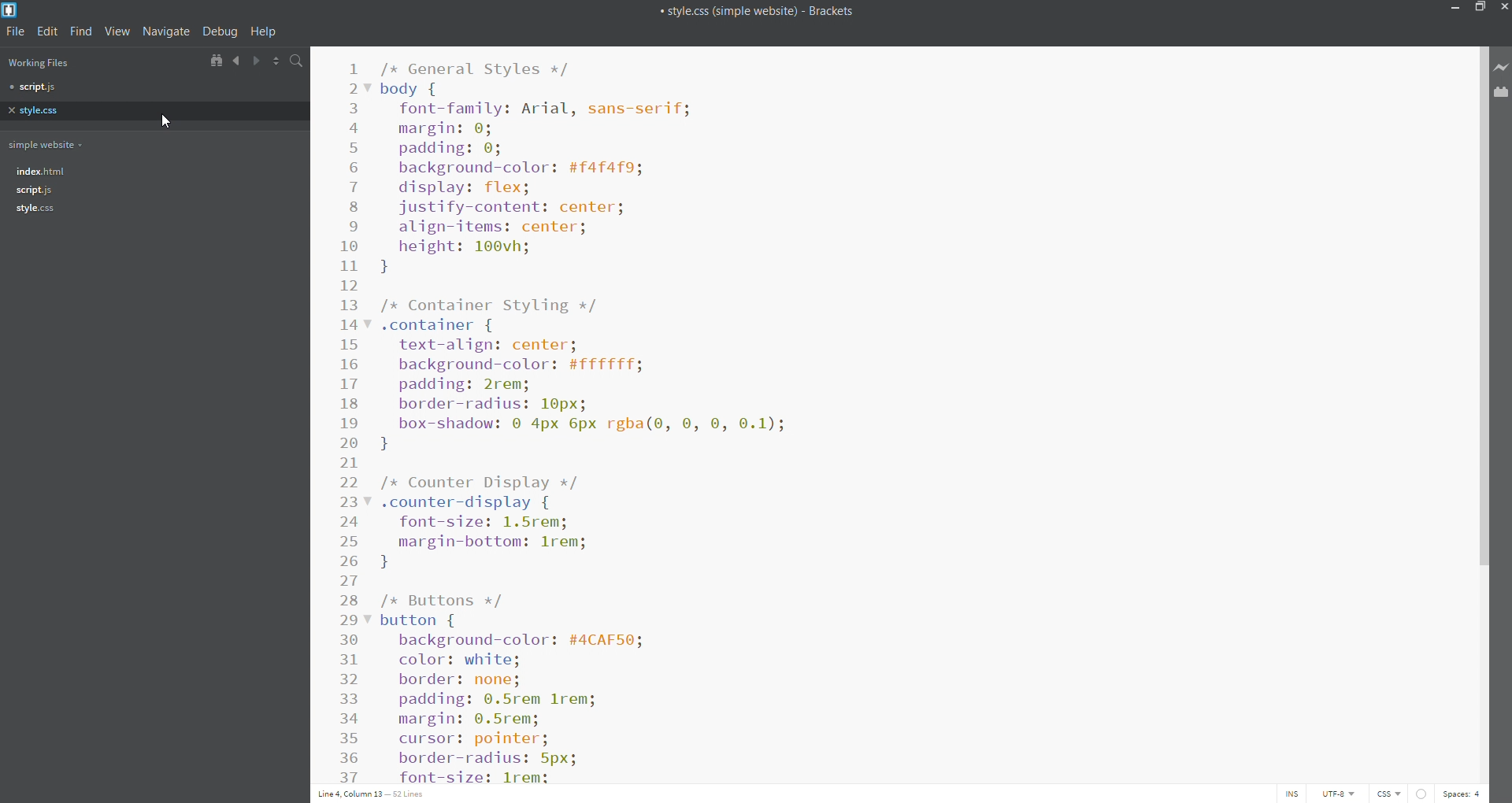  I want to click on spaces: 4, so click(1466, 791).